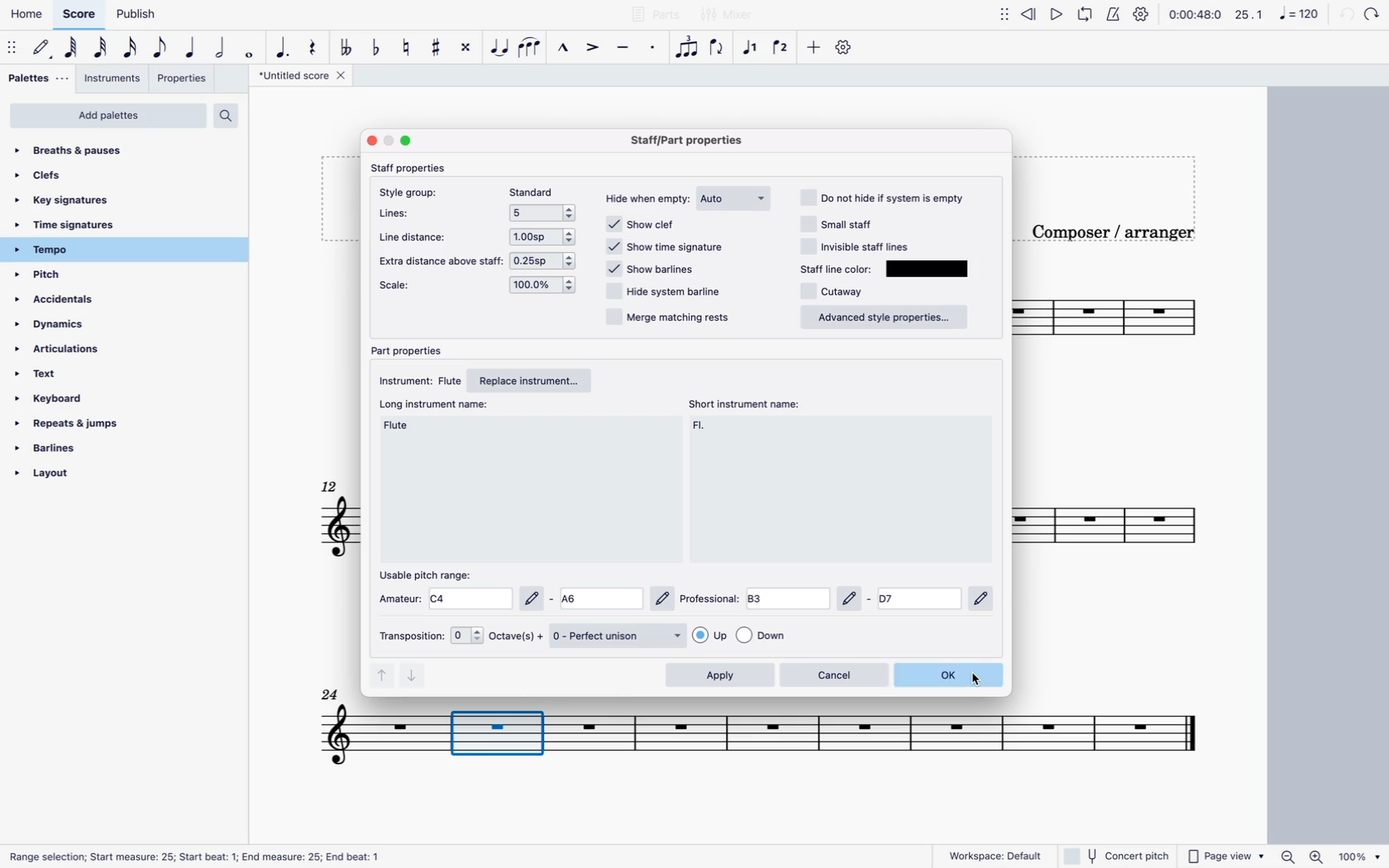 Image resolution: width=1389 pixels, height=868 pixels. What do you see at coordinates (1104, 528) in the screenshot?
I see `score` at bounding box center [1104, 528].